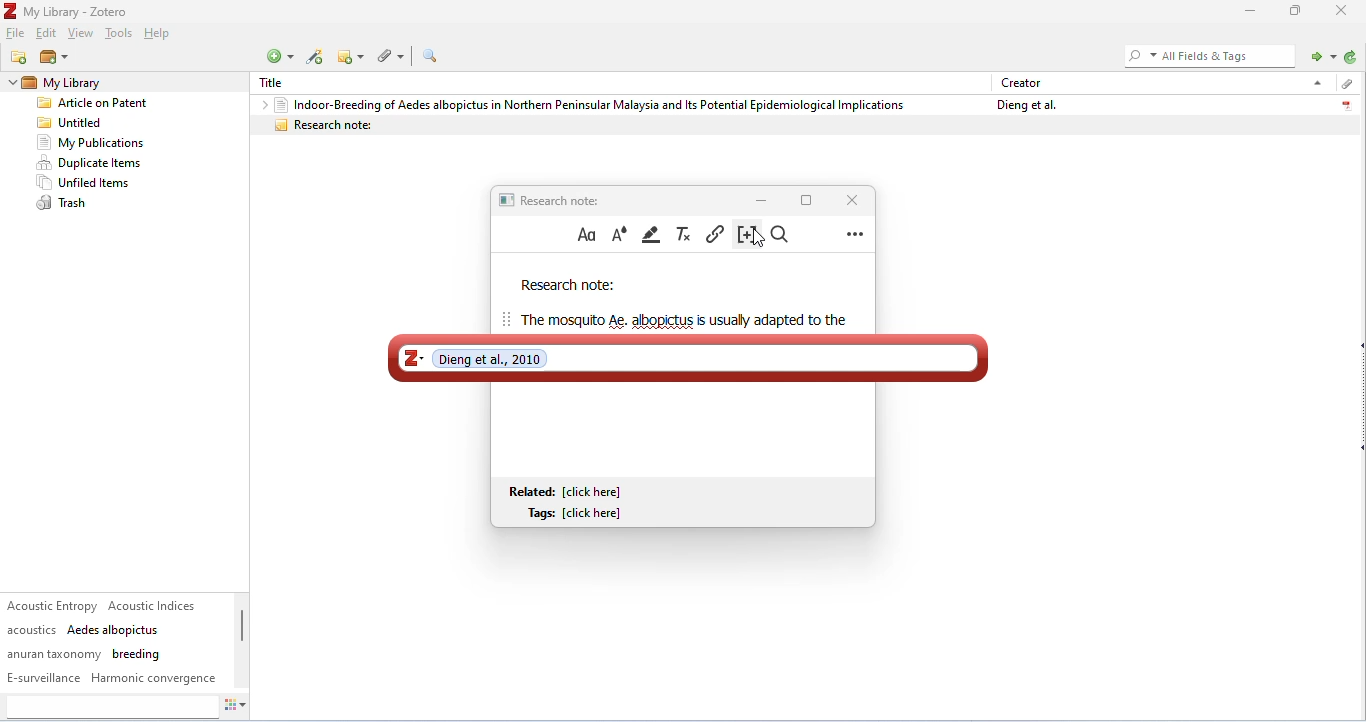  Describe the element at coordinates (65, 204) in the screenshot. I see `trash` at that location.